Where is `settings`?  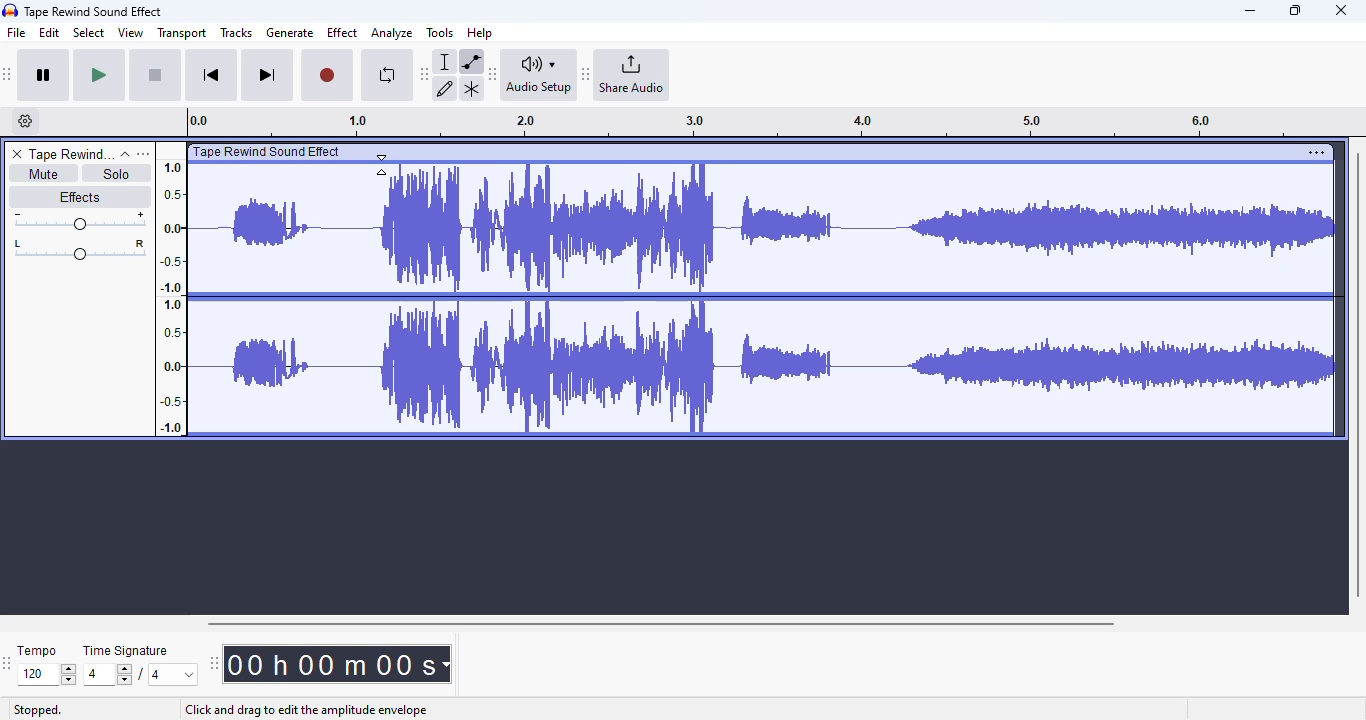
settings is located at coordinates (1316, 152).